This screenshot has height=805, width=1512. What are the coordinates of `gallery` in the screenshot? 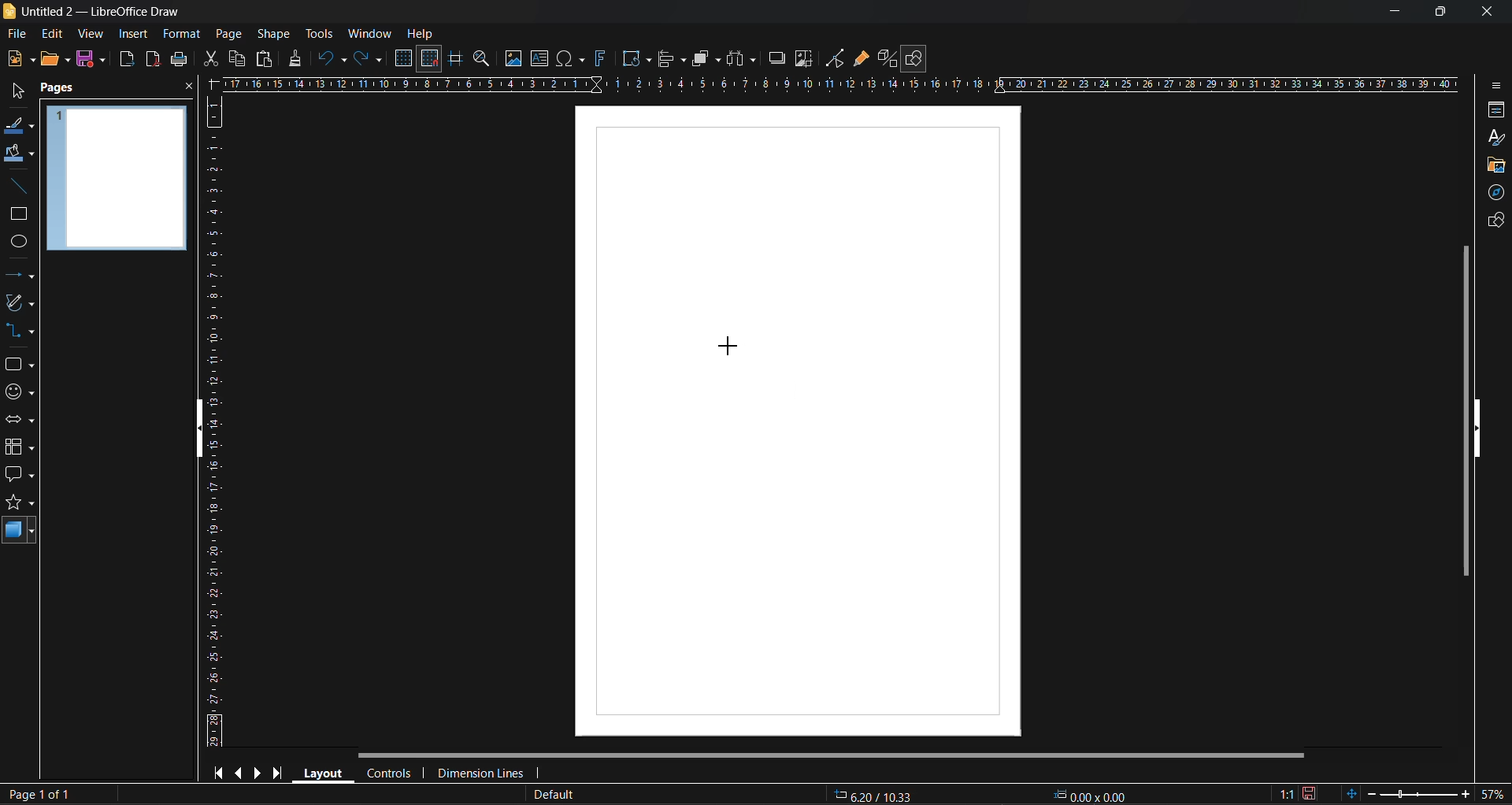 It's located at (1496, 165).